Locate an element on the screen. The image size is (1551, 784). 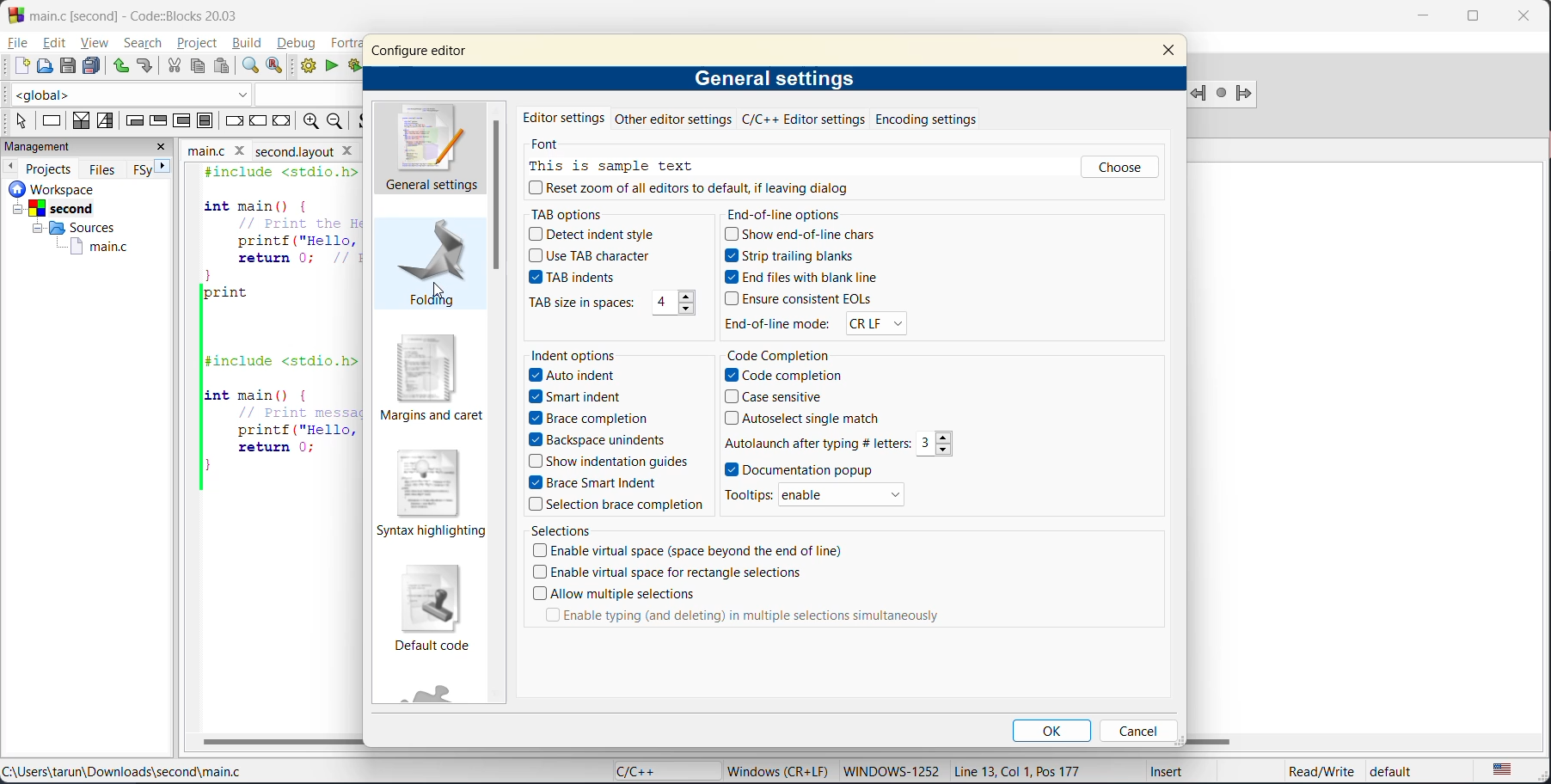
cut is located at coordinates (173, 66).